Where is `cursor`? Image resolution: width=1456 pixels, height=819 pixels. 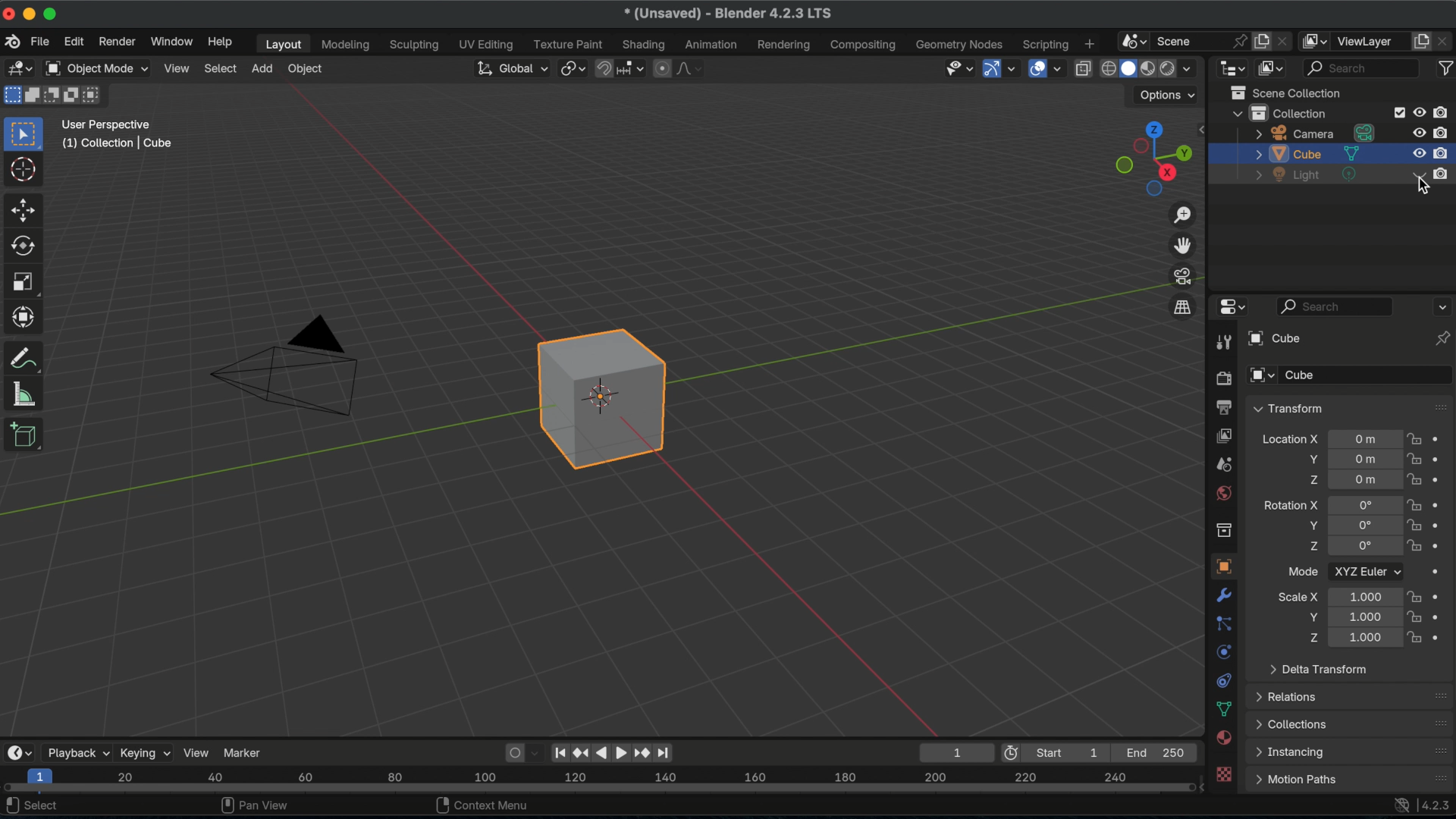 cursor is located at coordinates (1426, 189).